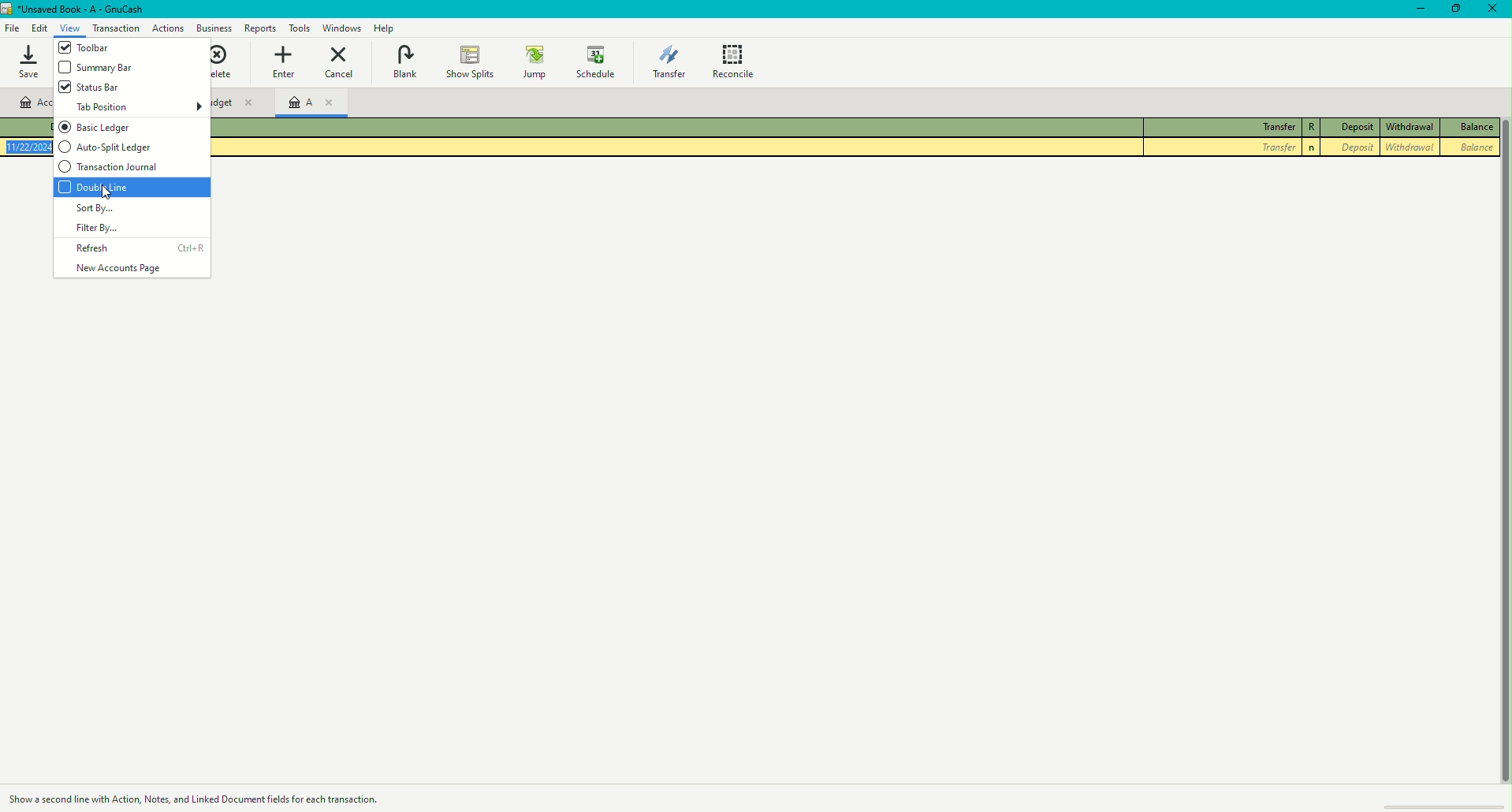  Describe the element at coordinates (117, 28) in the screenshot. I see `Actions` at that location.